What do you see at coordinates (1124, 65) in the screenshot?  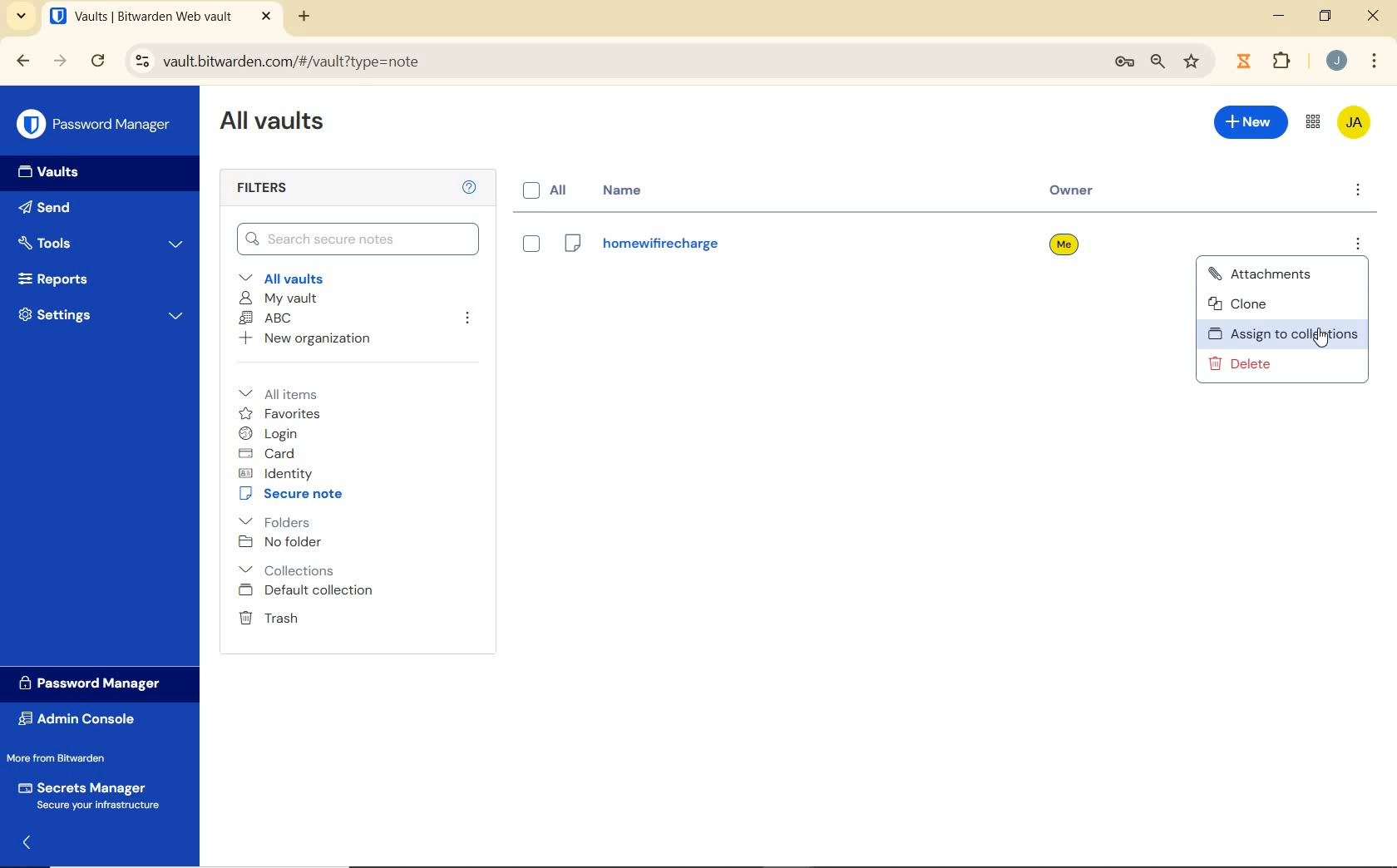 I see `manage passwords` at bounding box center [1124, 65].